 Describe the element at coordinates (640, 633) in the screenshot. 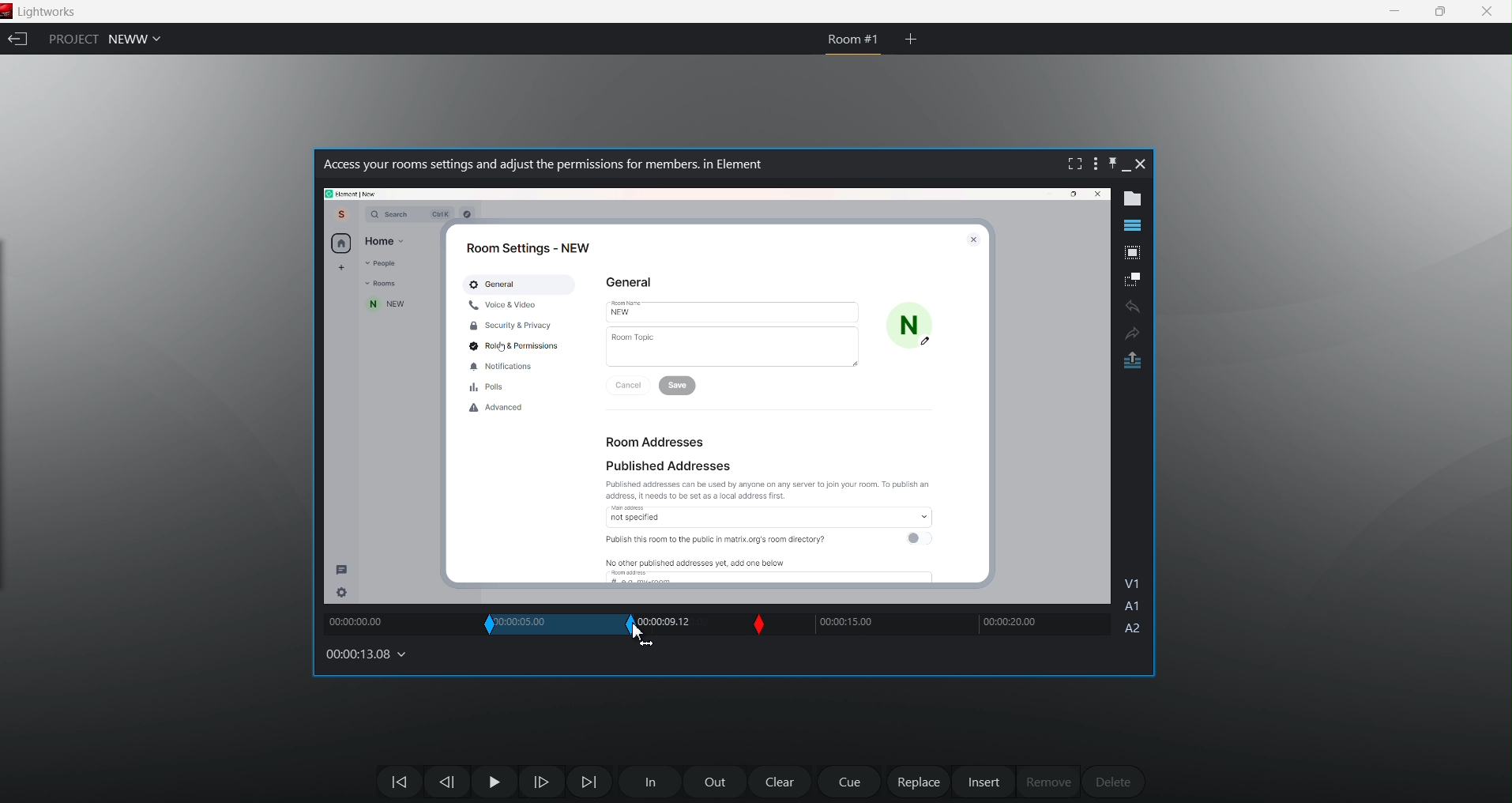

I see `cursor` at that location.